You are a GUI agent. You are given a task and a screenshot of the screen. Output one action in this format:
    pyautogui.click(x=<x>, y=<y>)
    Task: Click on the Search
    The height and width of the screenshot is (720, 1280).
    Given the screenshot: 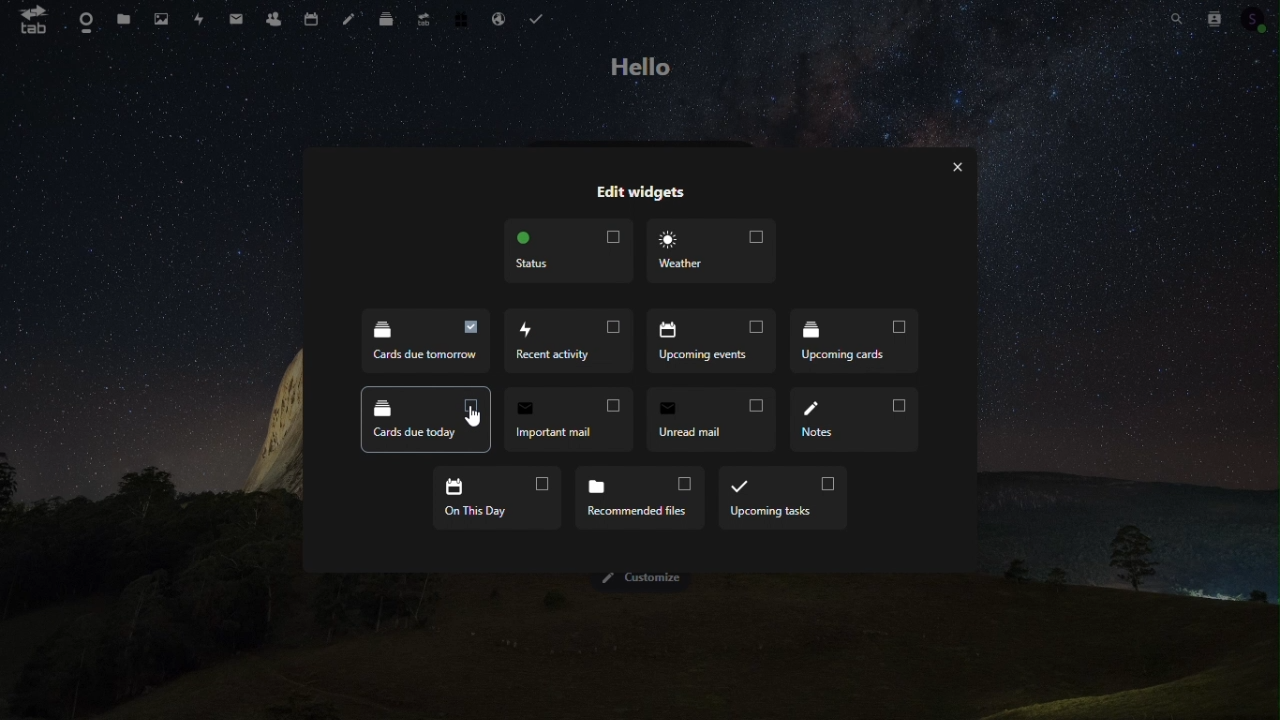 What is the action you would take?
    pyautogui.click(x=1170, y=17)
    